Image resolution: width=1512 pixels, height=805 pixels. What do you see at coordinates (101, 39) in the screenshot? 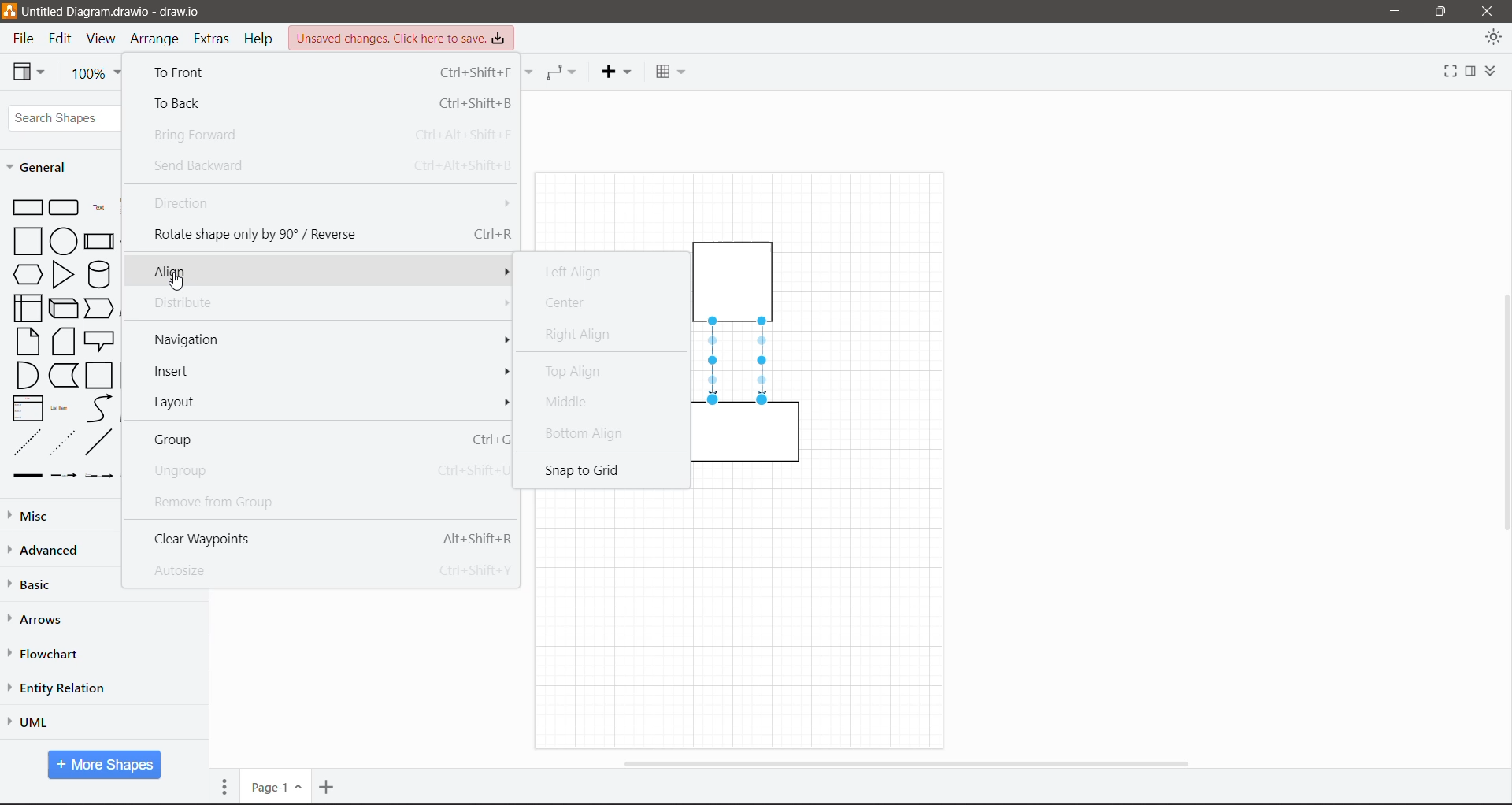
I see `View` at bounding box center [101, 39].